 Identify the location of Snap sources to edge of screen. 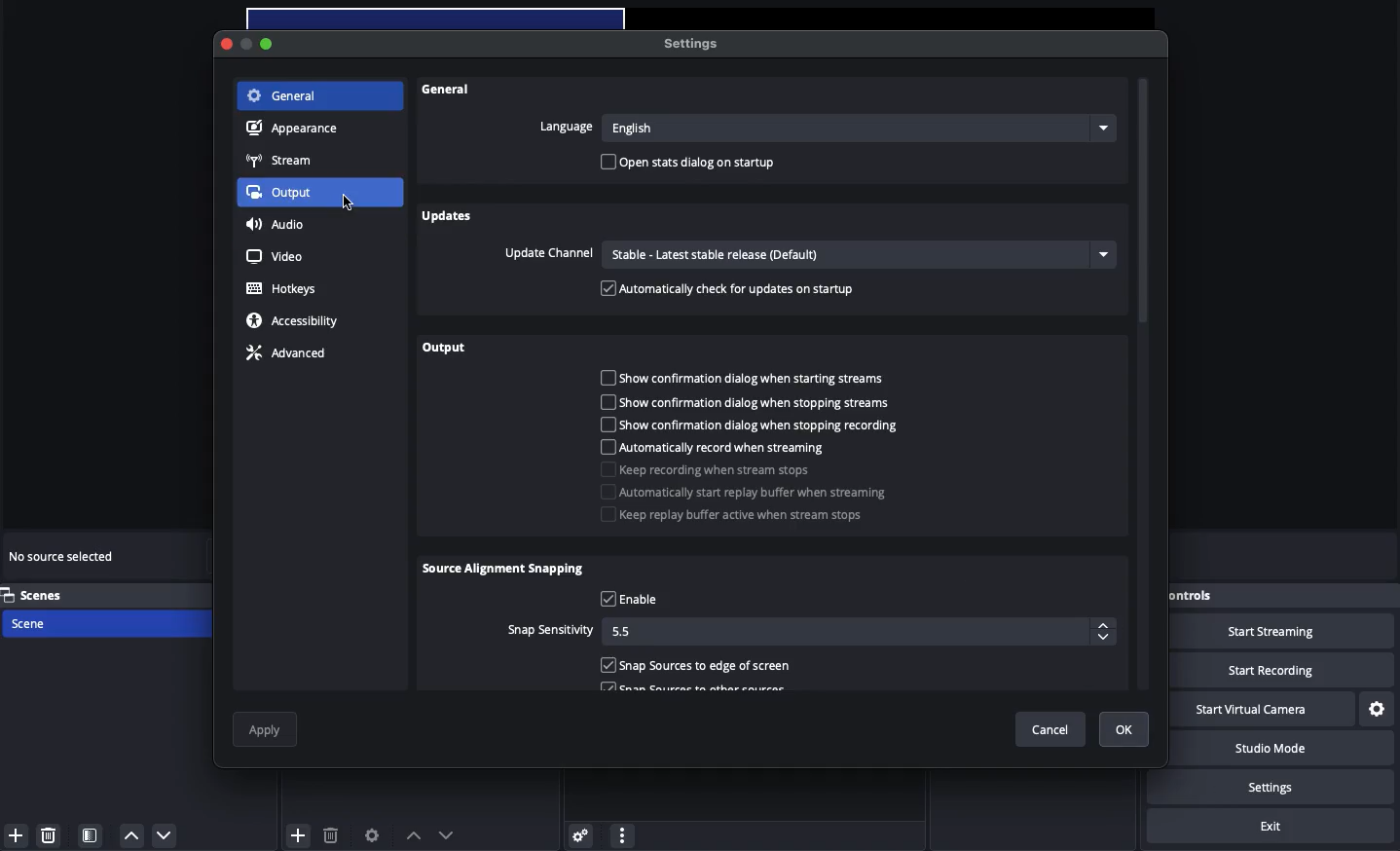
(698, 669).